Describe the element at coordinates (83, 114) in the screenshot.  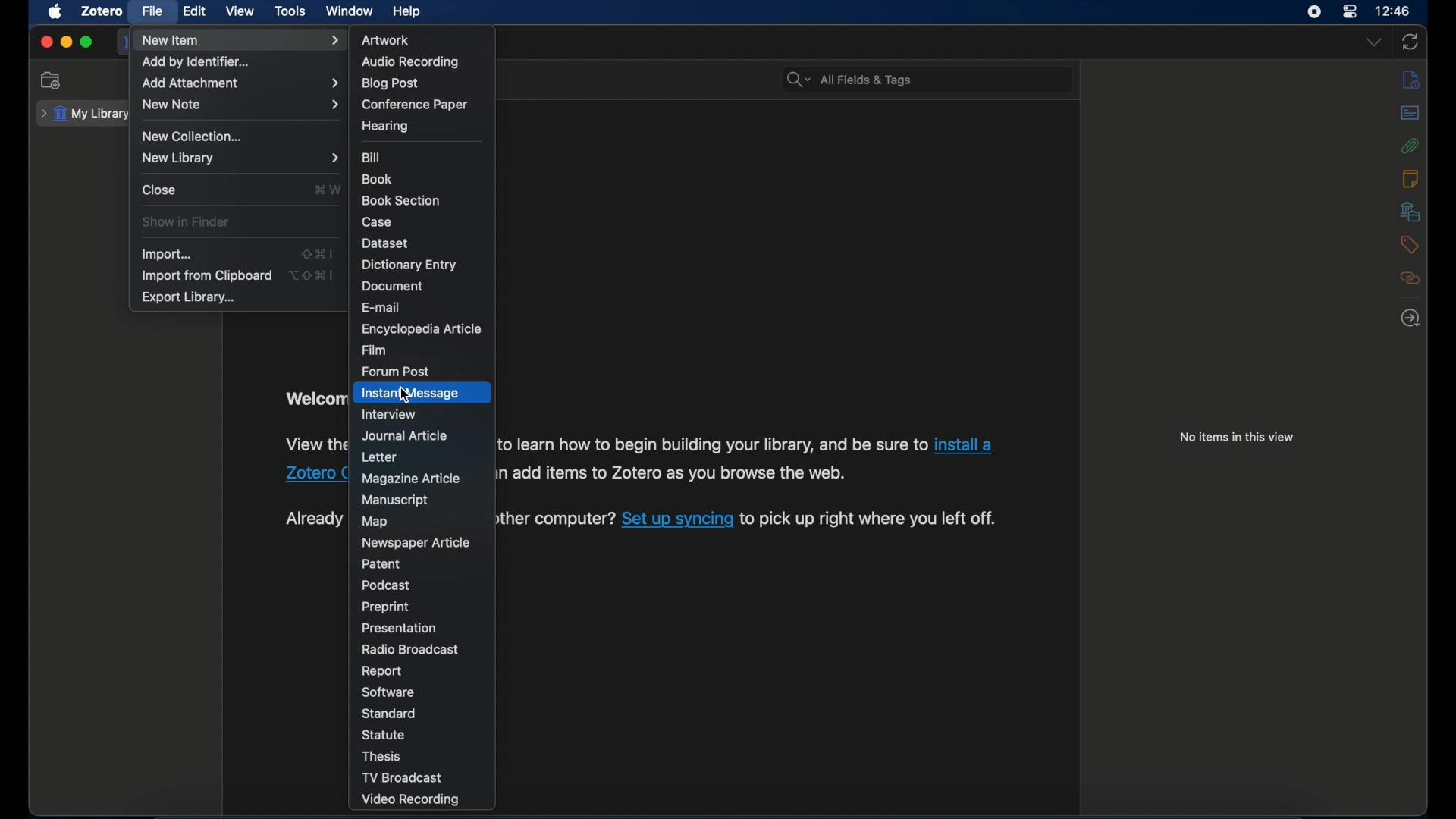
I see `my library` at that location.